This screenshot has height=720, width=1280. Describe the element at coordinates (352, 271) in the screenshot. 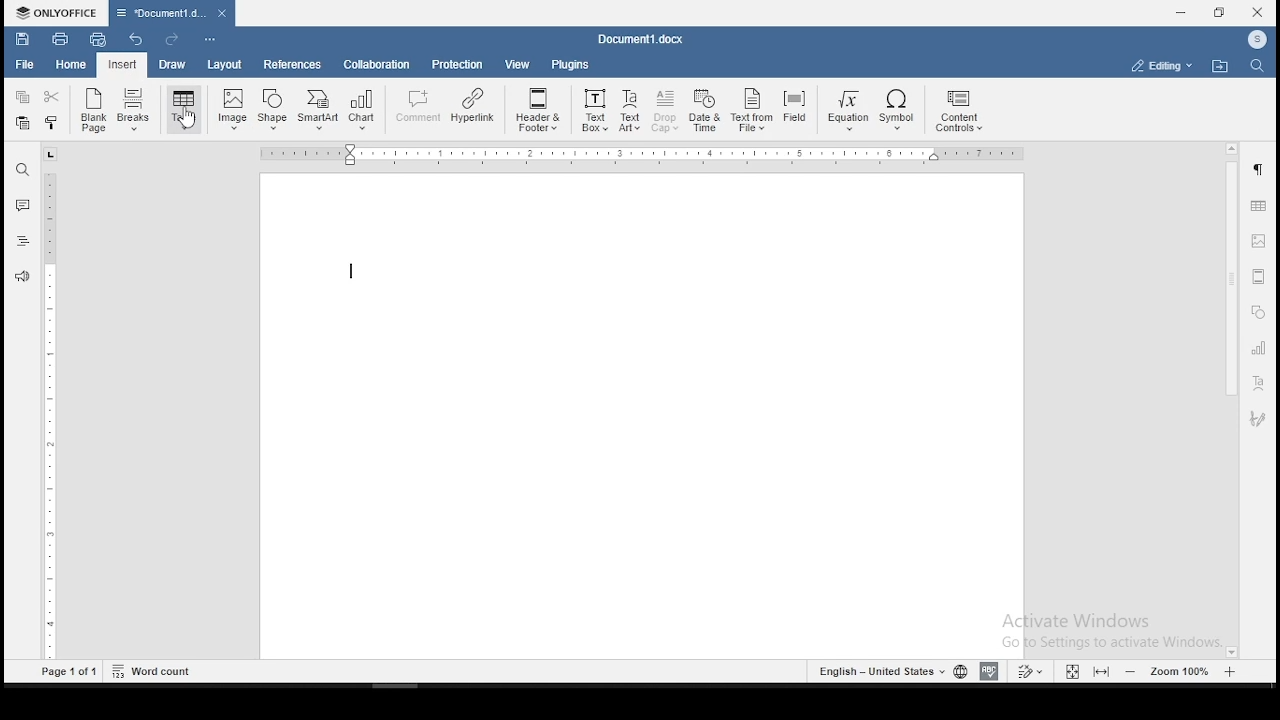

I see `text editor` at that location.